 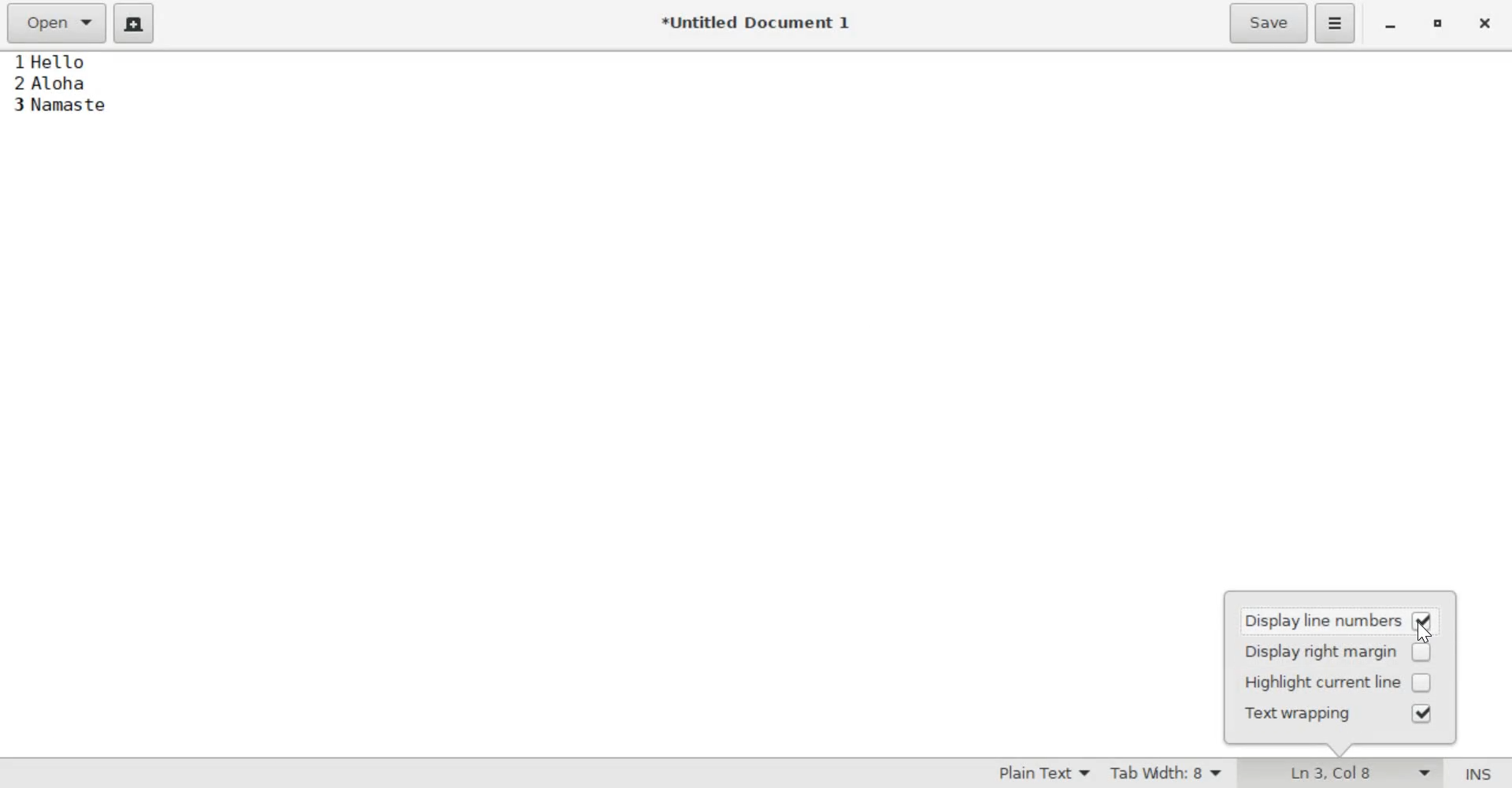 What do you see at coordinates (1337, 619) in the screenshot?
I see `display line numbers` at bounding box center [1337, 619].